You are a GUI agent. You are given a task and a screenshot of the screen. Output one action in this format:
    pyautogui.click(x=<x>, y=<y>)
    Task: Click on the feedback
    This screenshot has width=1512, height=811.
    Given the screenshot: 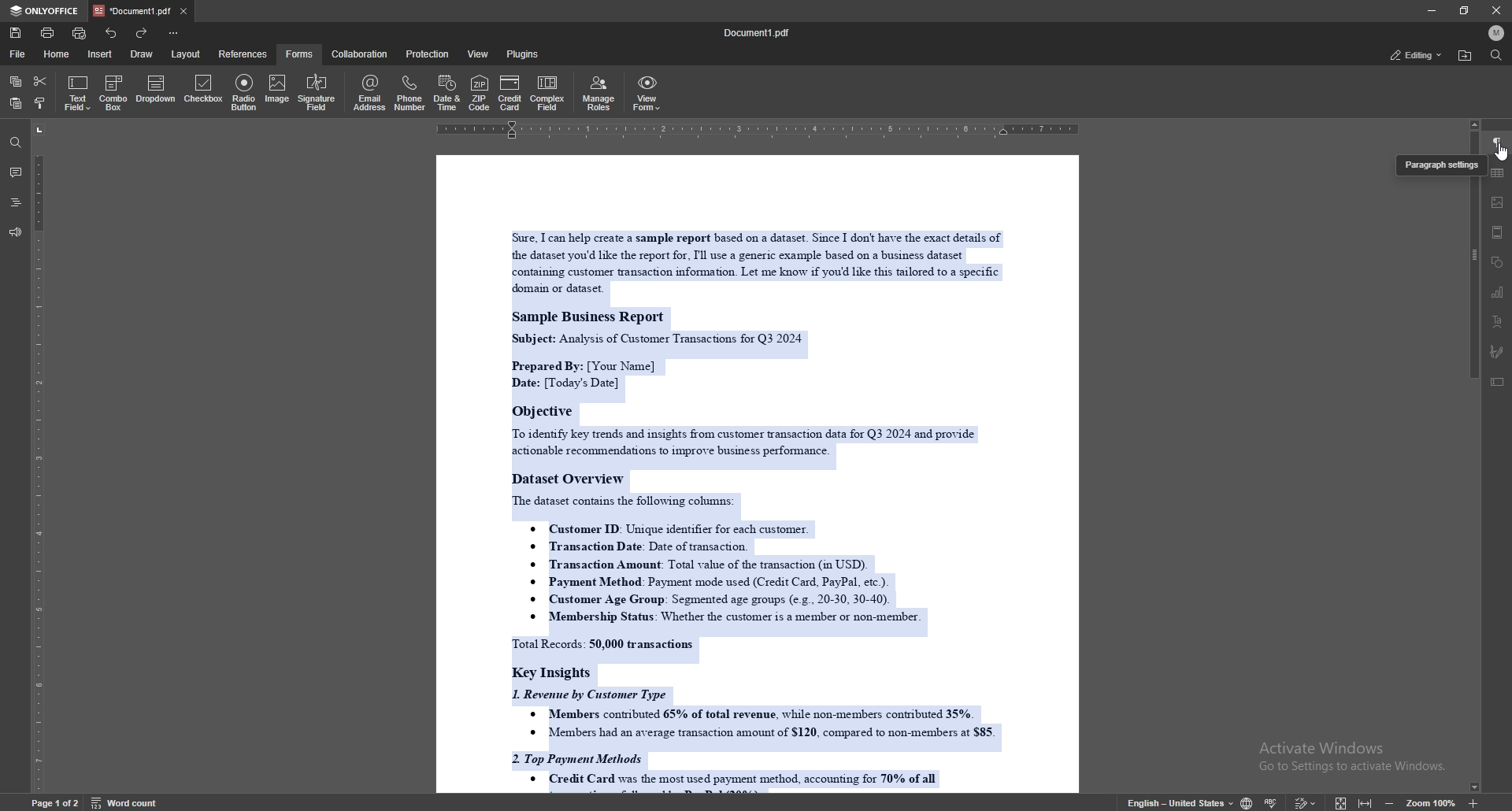 What is the action you would take?
    pyautogui.click(x=15, y=233)
    